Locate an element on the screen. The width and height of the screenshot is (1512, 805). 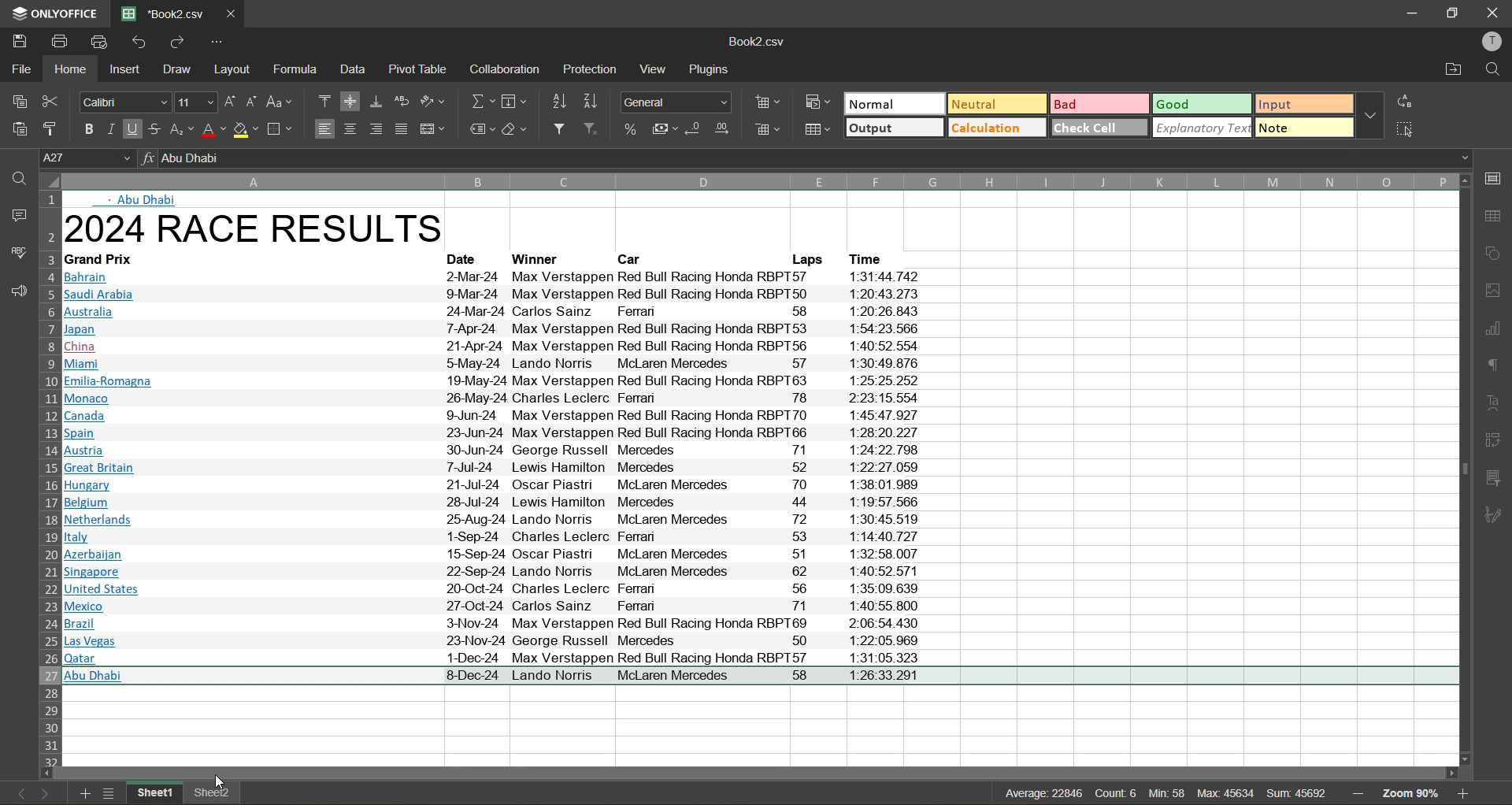
options is located at coordinates (217, 43).